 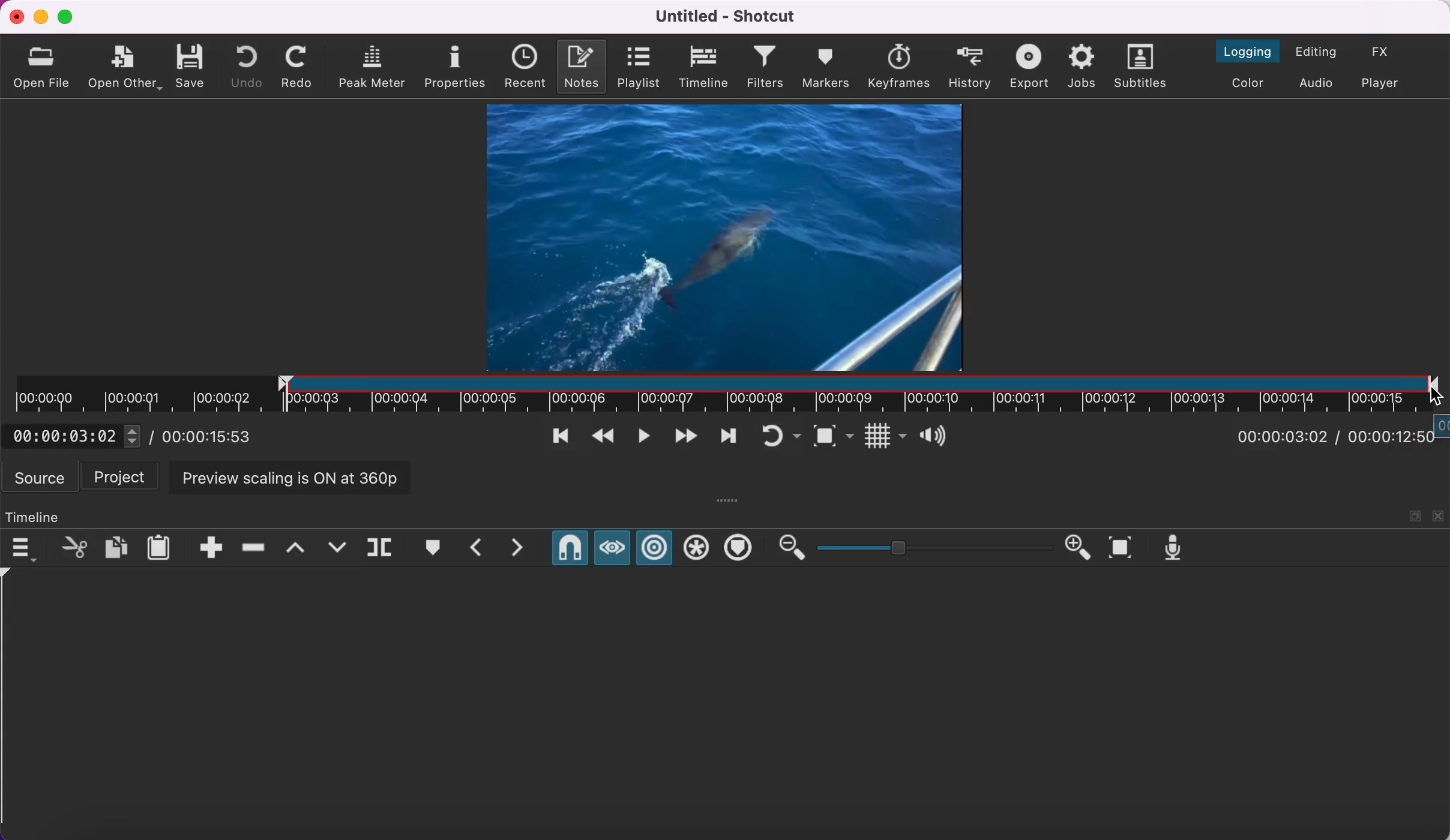 What do you see at coordinates (723, 238) in the screenshot?
I see `clip` at bounding box center [723, 238].